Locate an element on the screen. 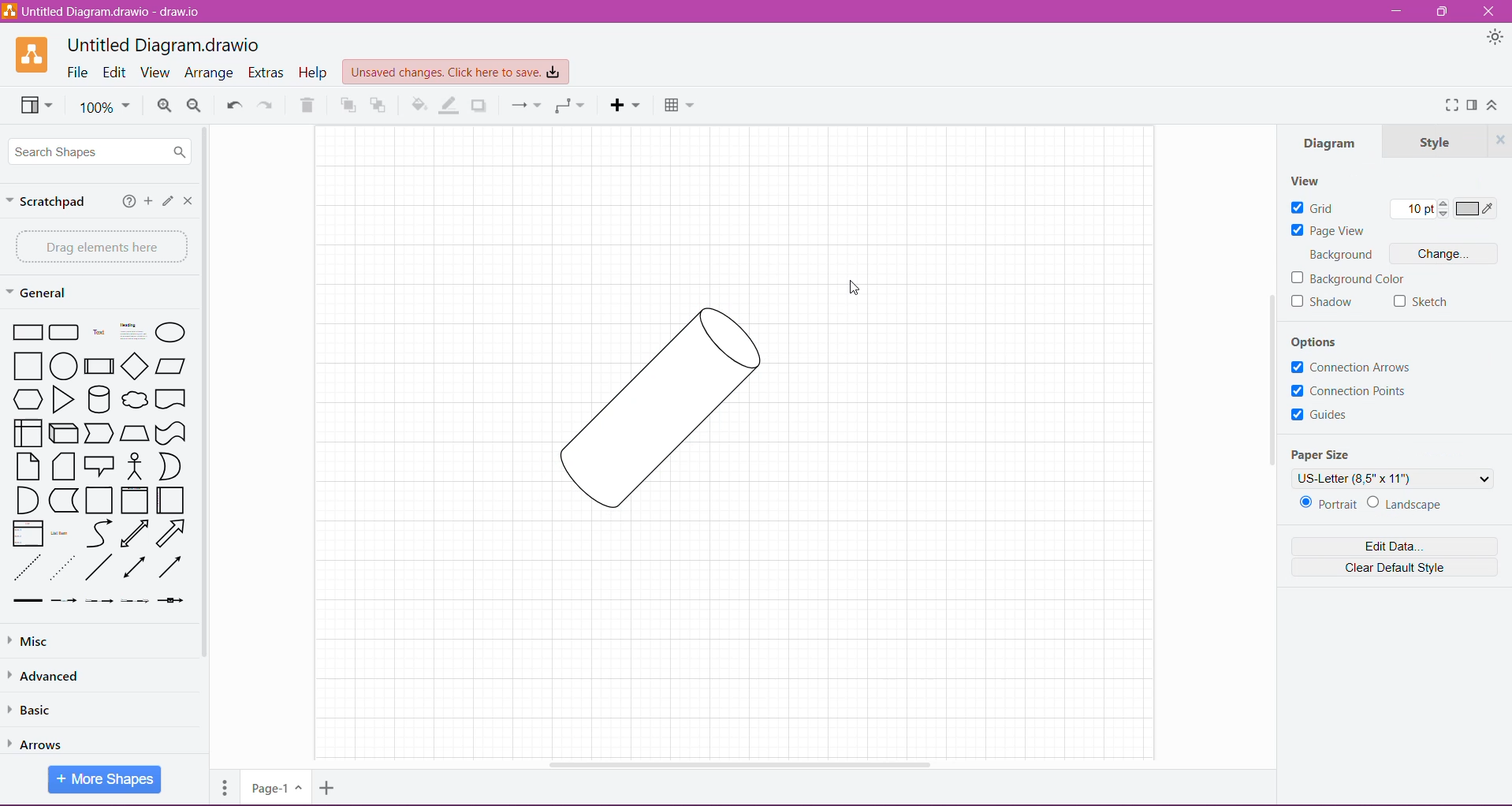 Image resolution: width=1512 pixels, height=806 pixels. View is located at coordinates (1309, 180).